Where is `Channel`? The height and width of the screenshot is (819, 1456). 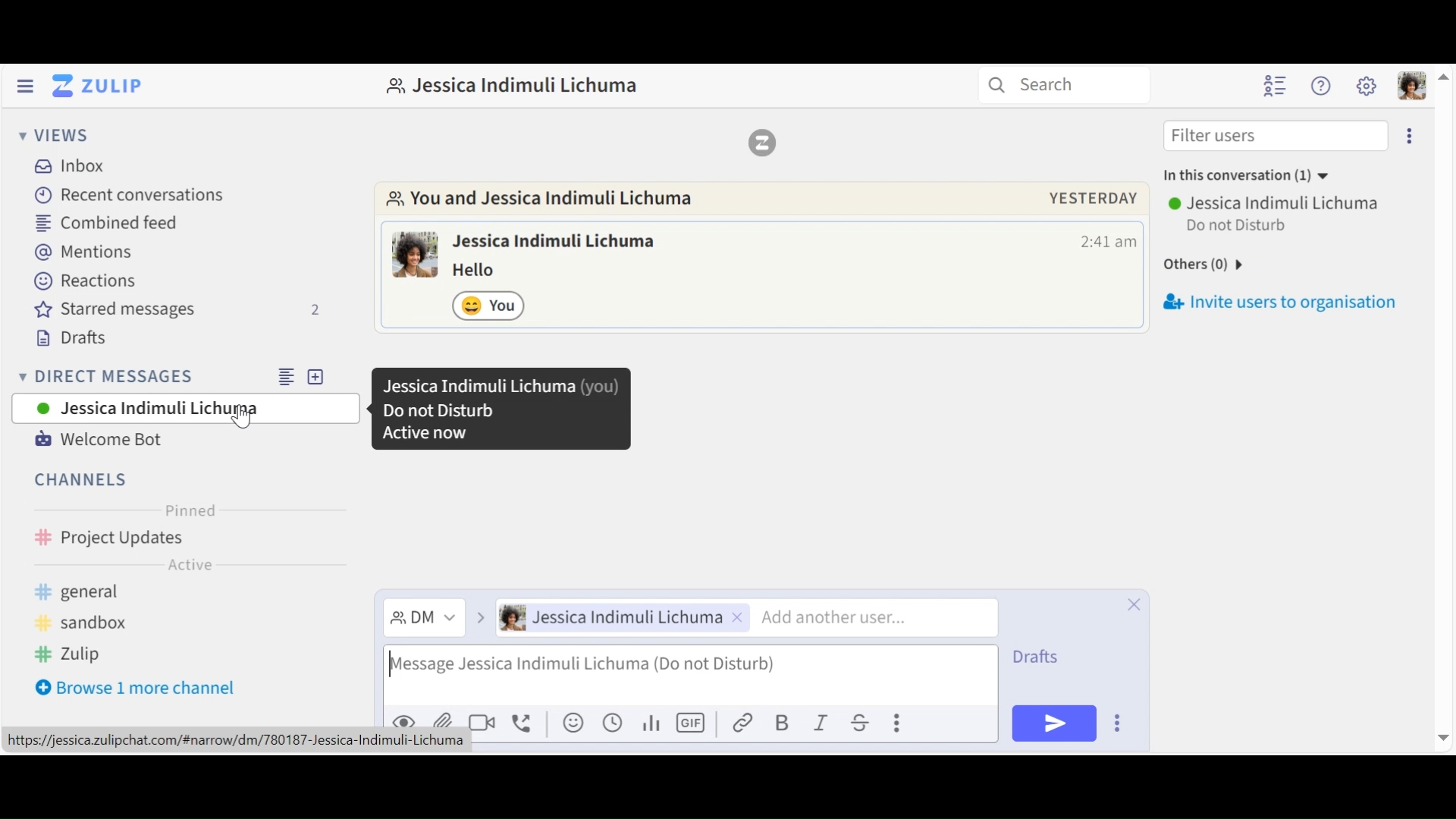 Channel is located at coordinates (185, 539).